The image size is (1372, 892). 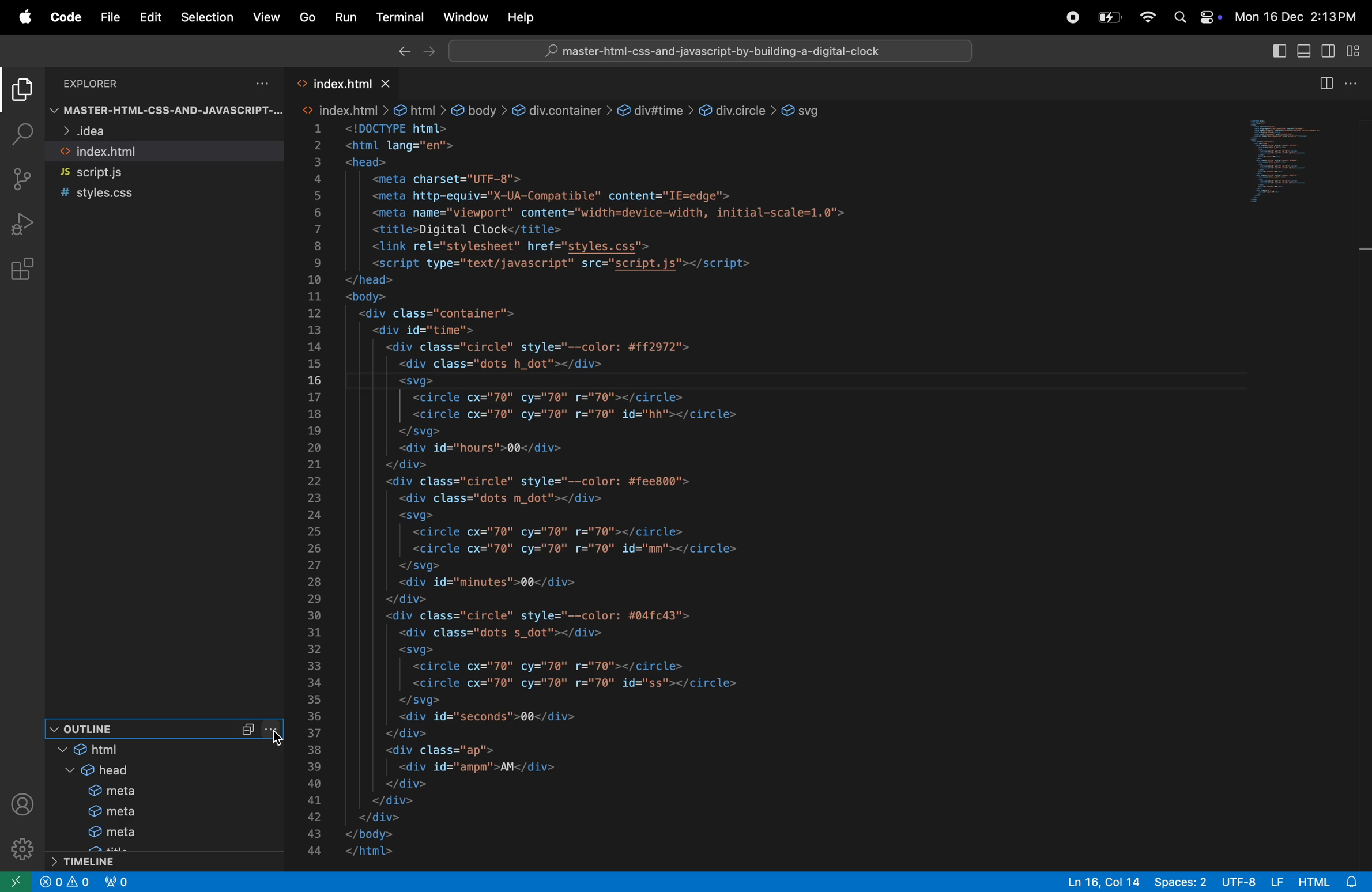 I want to click on close, so click(x=50, y=881).